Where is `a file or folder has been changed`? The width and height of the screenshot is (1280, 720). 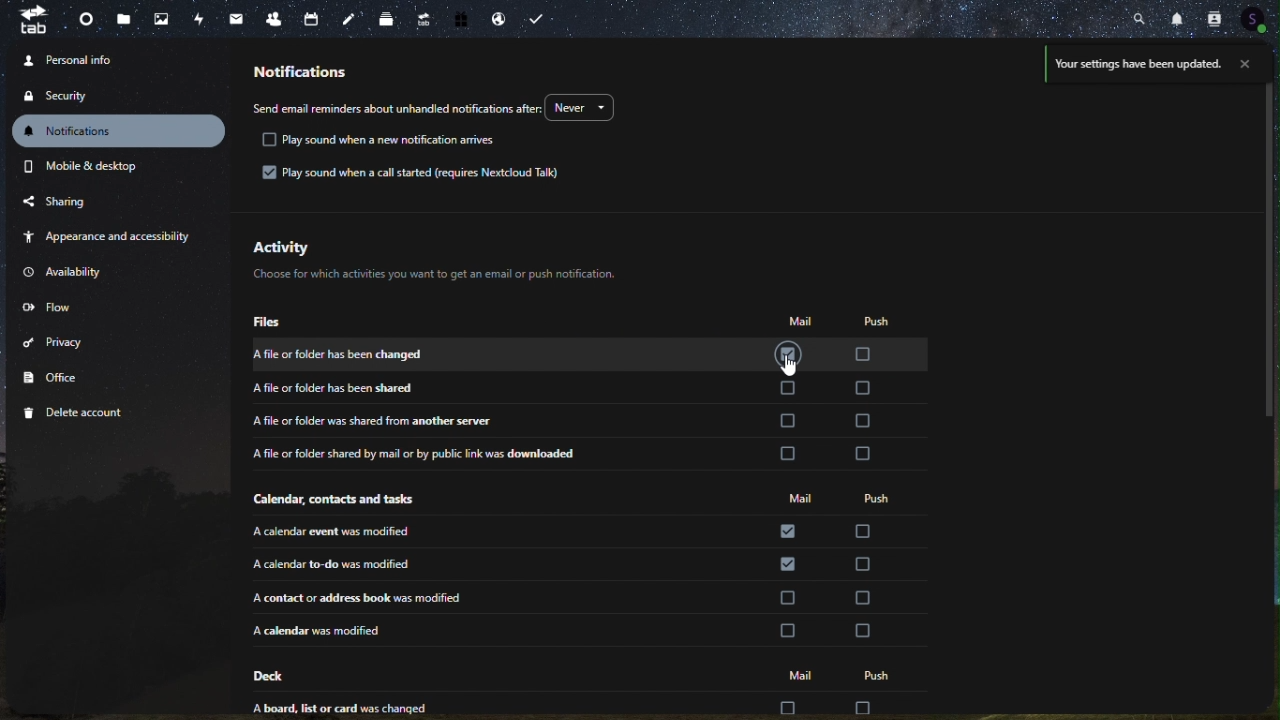 a file or folder has been changed is located at coordinates (350, 355).